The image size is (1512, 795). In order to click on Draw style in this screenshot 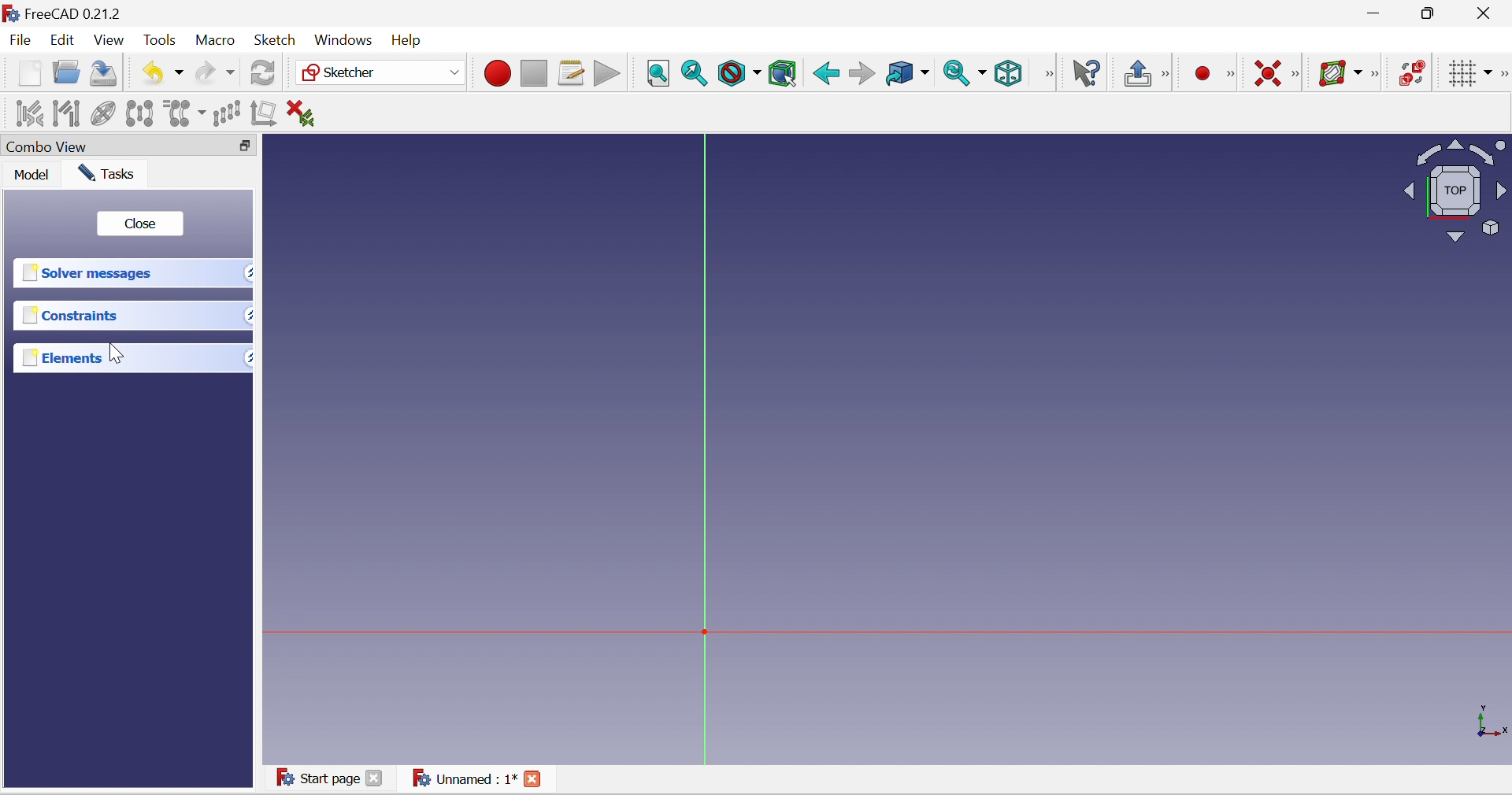, I will do `click(739, 75)`.